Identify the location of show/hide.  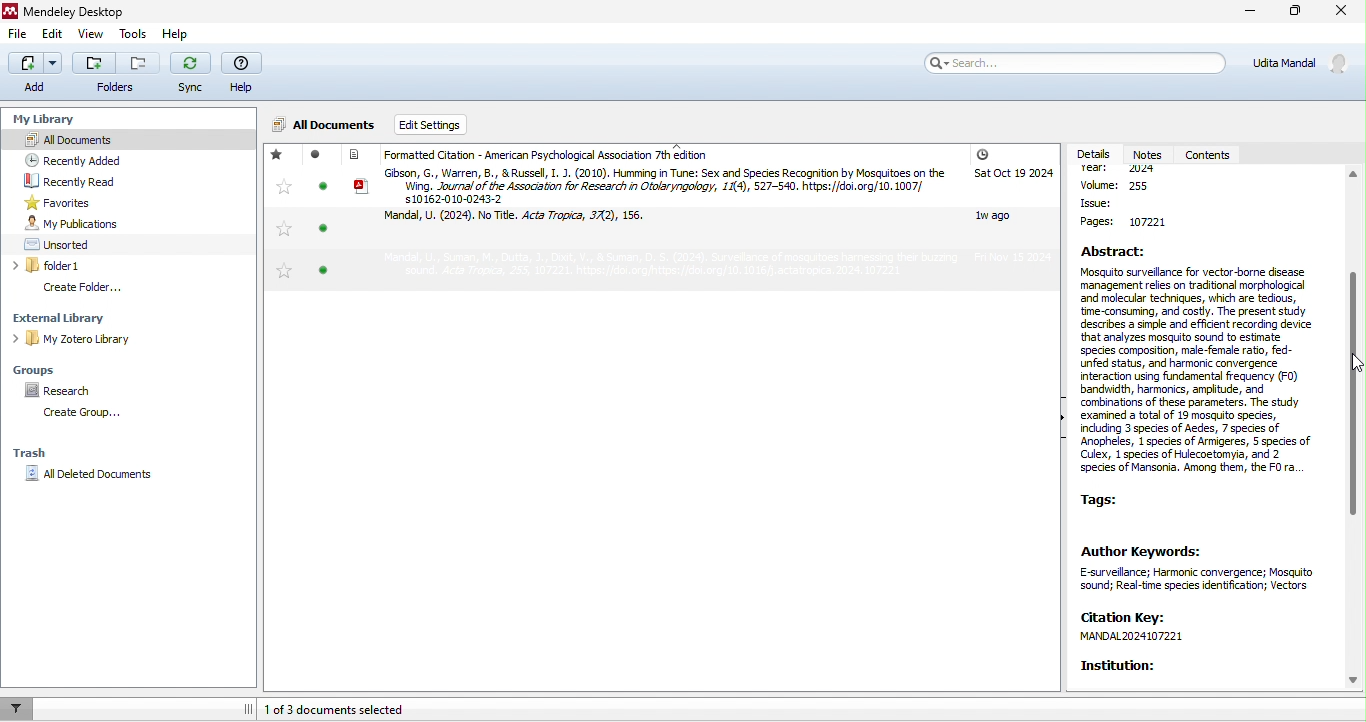
(1054, 430).